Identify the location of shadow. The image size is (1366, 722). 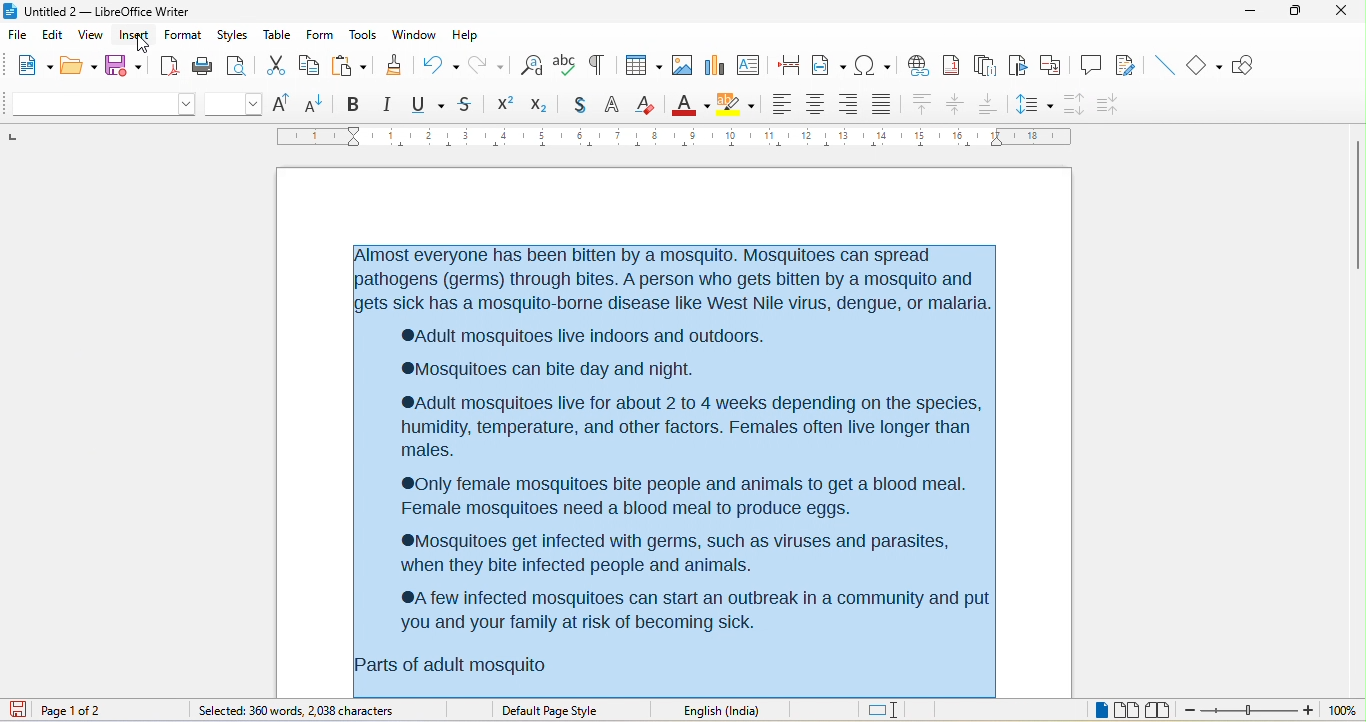
(576, 105).